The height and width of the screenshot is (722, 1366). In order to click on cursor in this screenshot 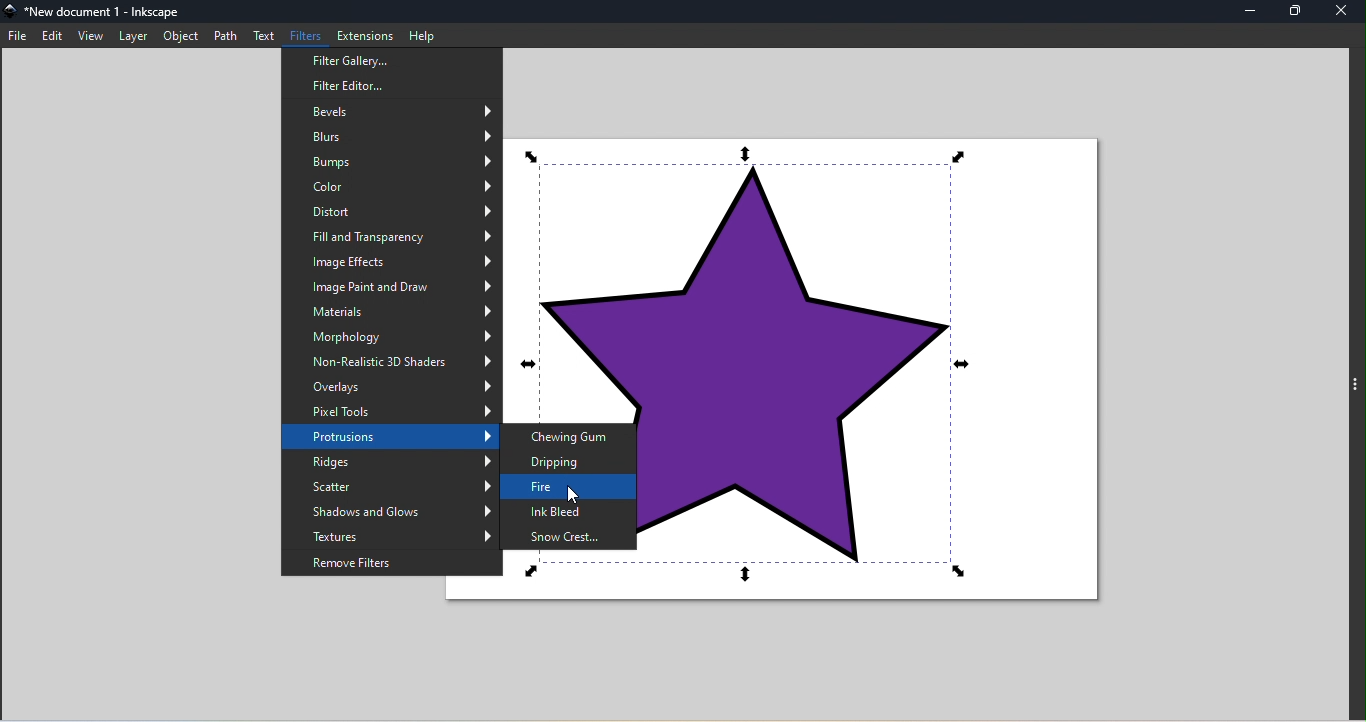, I will do `click(577, 498)`.